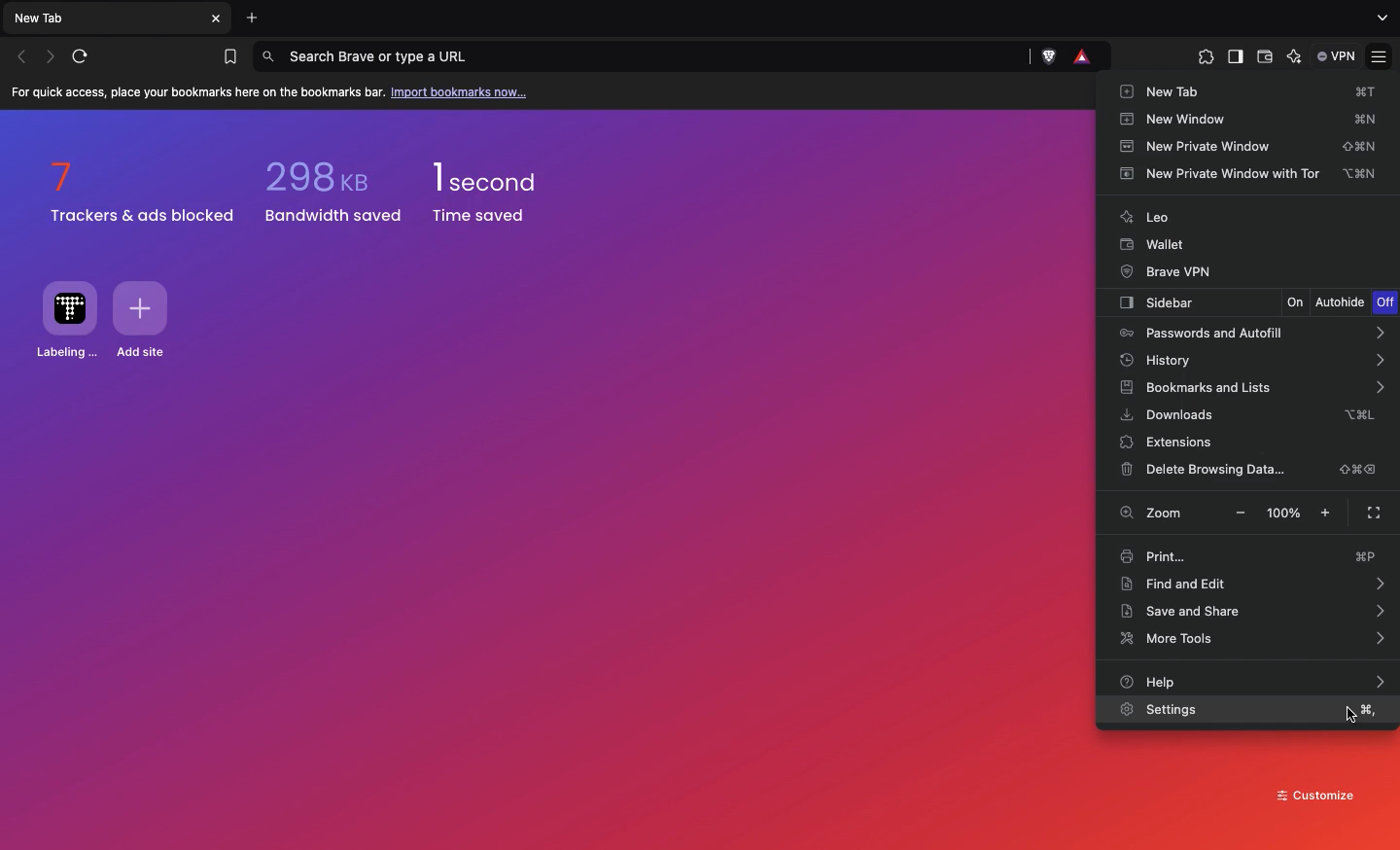  I want to click on New window, so click(1248, 119).